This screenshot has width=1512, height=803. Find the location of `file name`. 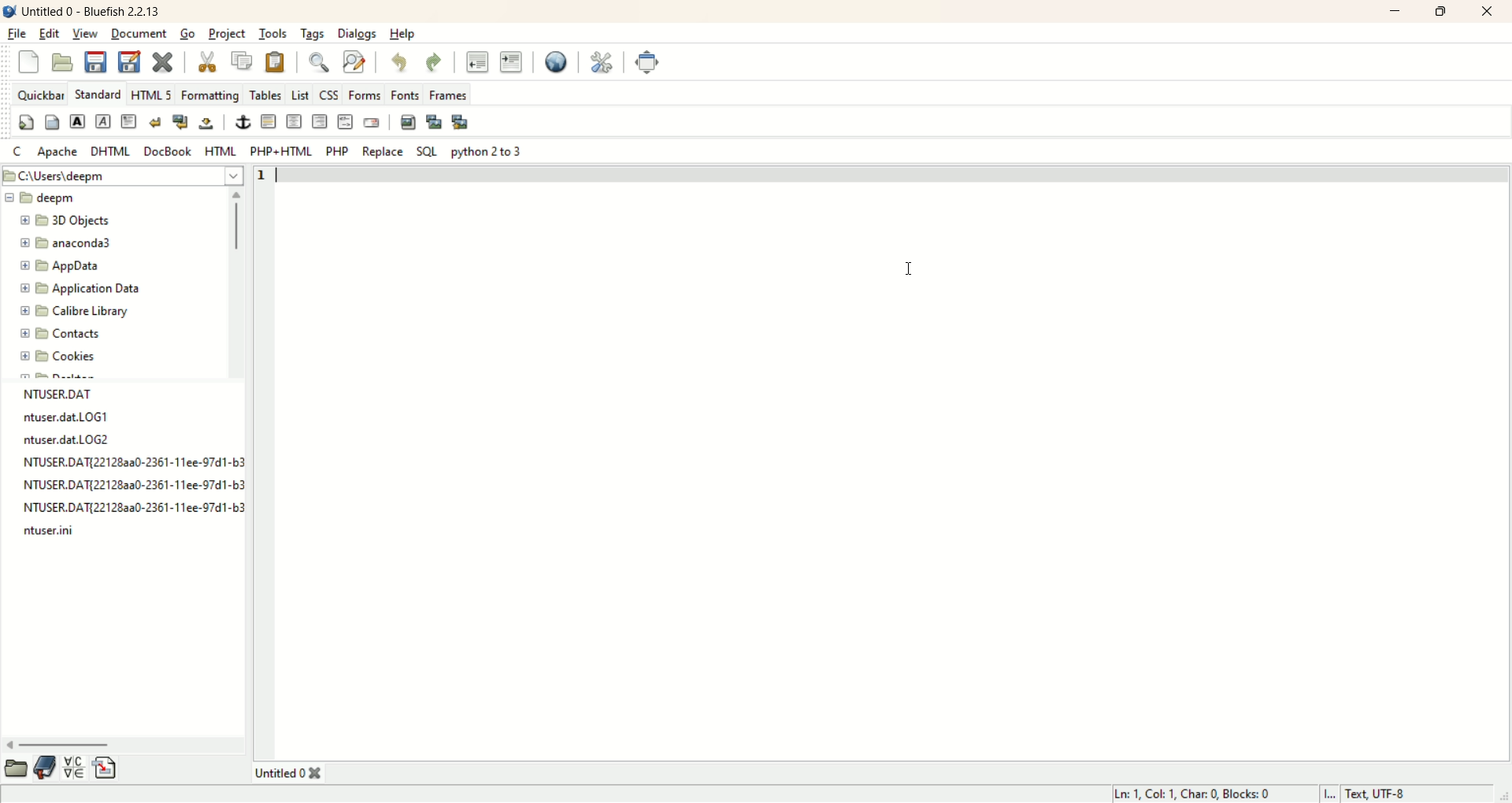

file name is located at coordinates (74, 394).